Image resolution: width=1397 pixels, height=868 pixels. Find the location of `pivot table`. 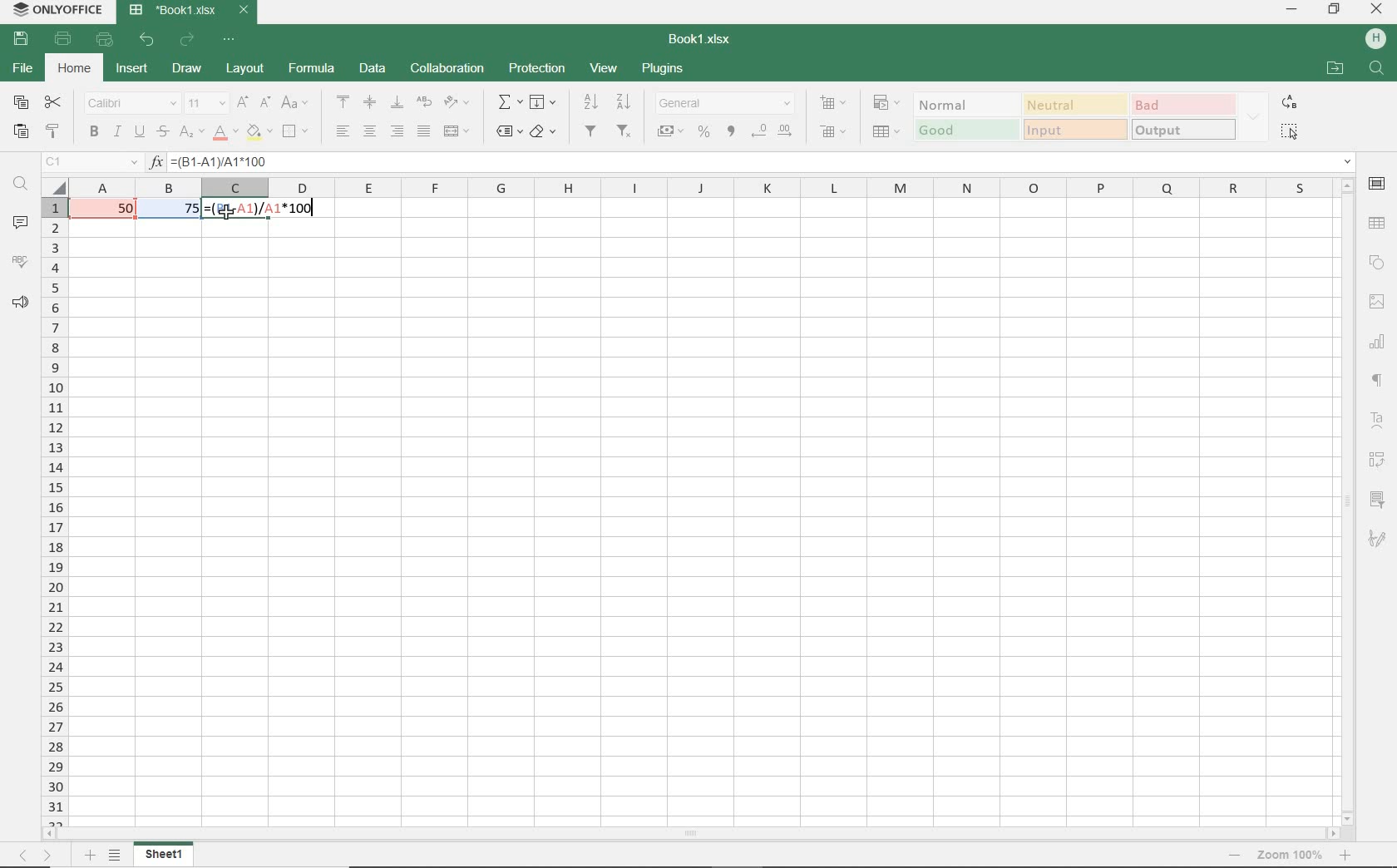

pivot table is located at coordinates (1380, 458).